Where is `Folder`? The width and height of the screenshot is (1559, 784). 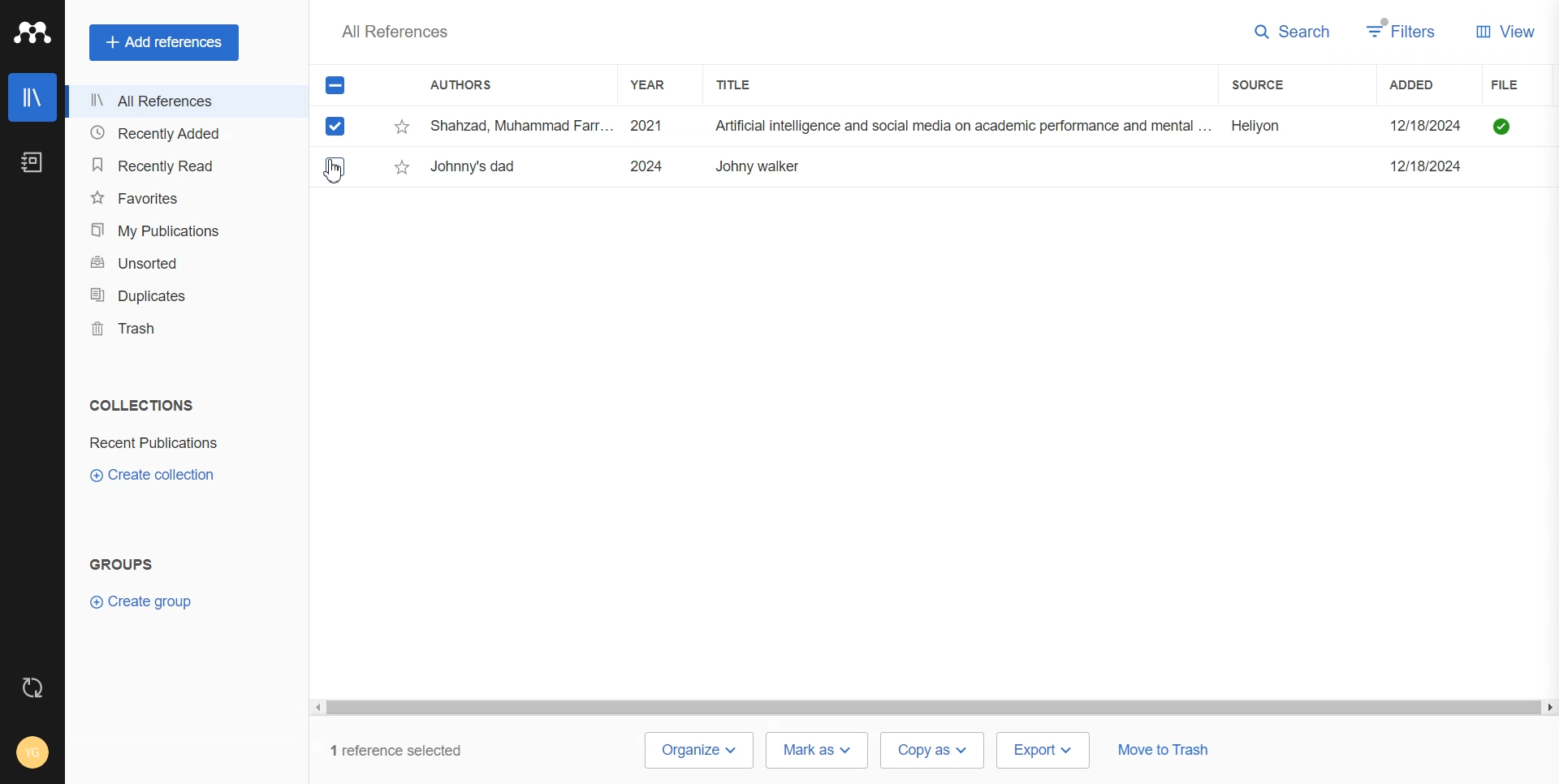 Folder is located at coordinates (157, 443).